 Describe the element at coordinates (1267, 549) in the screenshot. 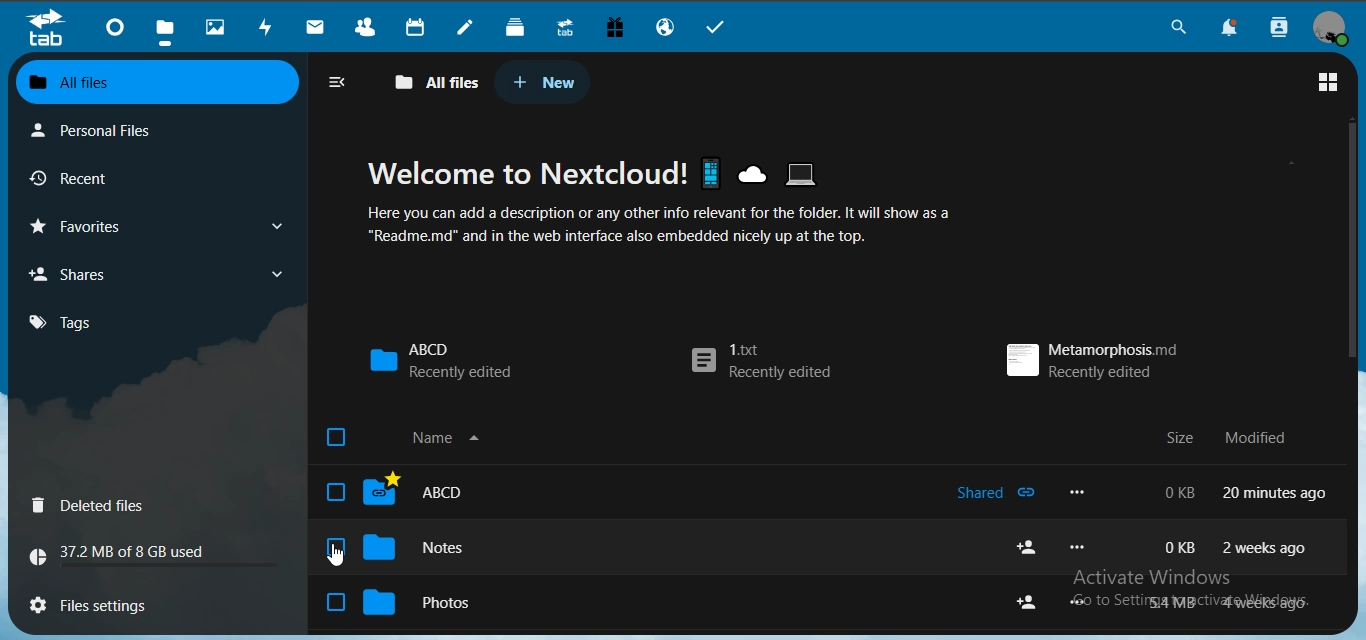

I see `2 weeks ago` at that location.